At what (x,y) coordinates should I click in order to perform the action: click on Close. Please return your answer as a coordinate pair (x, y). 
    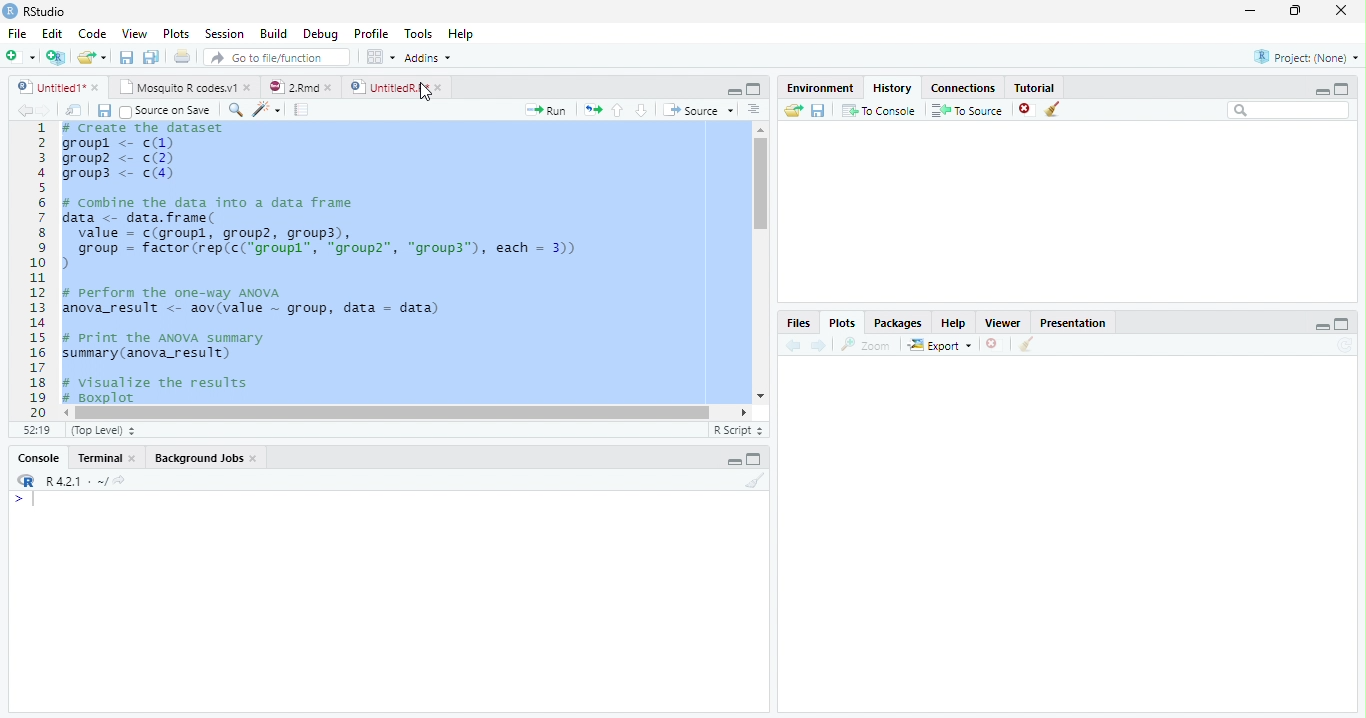
    Looking at the image, I should click on (1339, 12).